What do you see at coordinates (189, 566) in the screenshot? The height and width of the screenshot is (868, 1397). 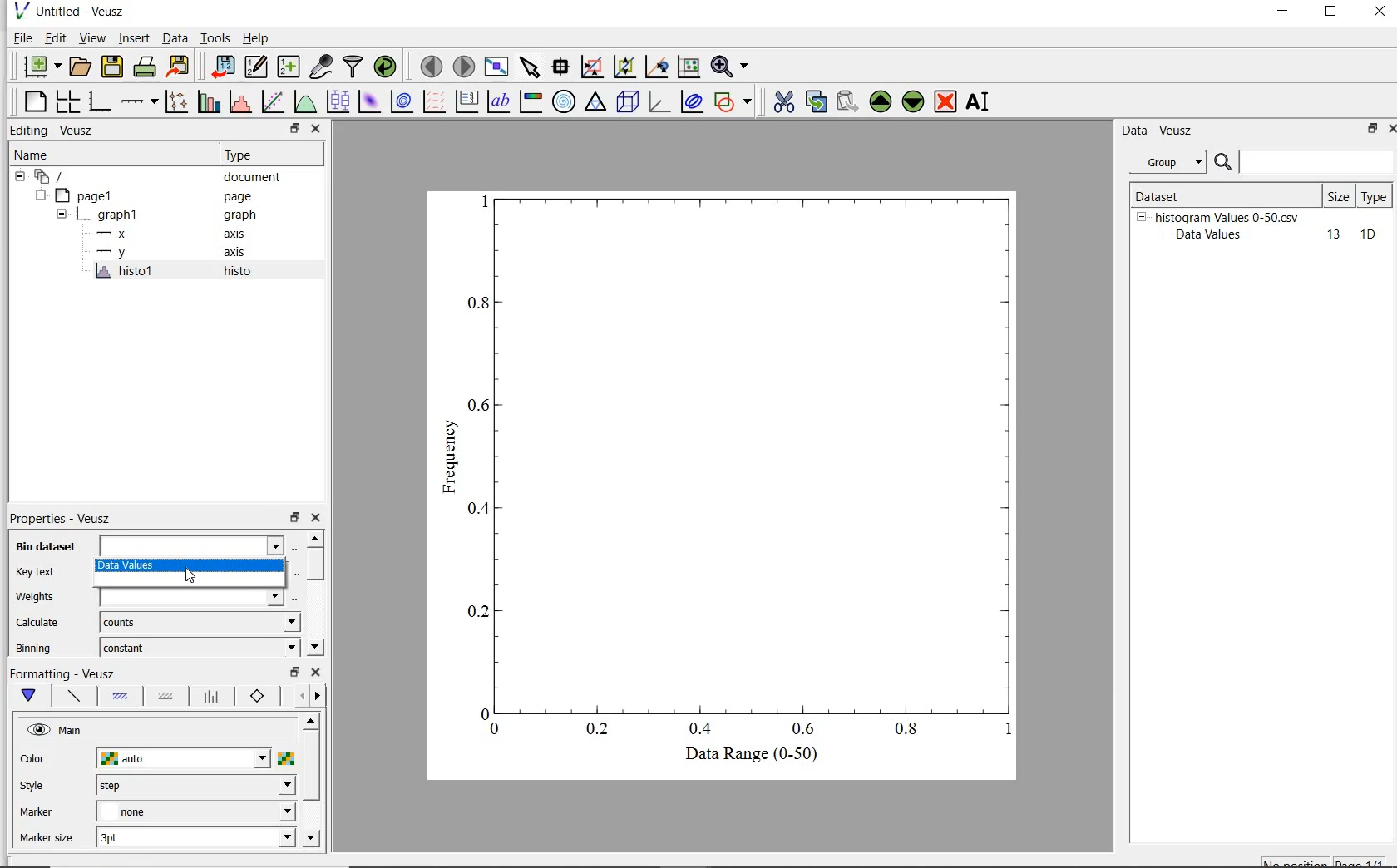 I see `data values` at bounding box center [189, 566].